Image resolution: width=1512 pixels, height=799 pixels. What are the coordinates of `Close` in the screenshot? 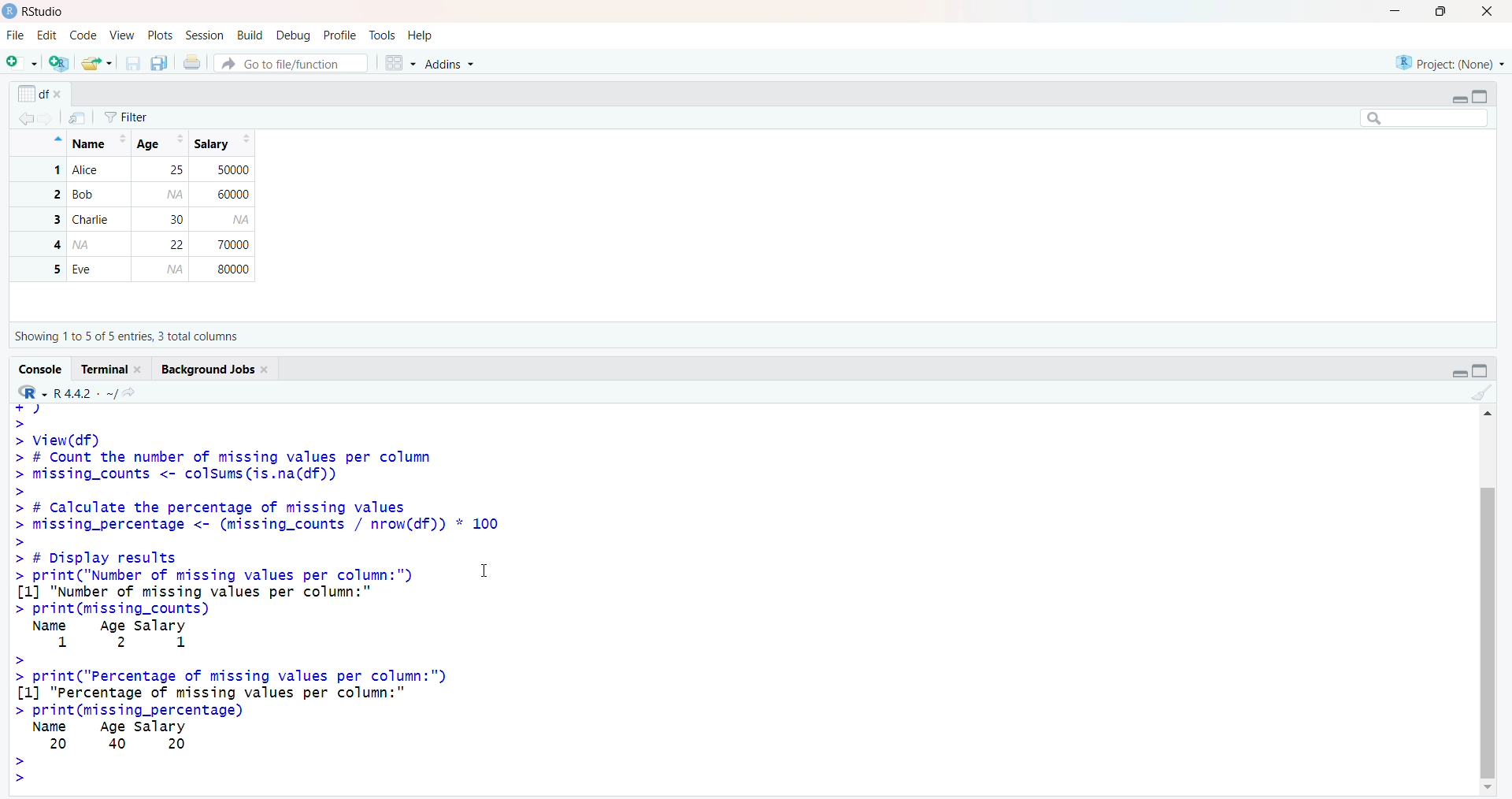 It's located at (1492, 13).